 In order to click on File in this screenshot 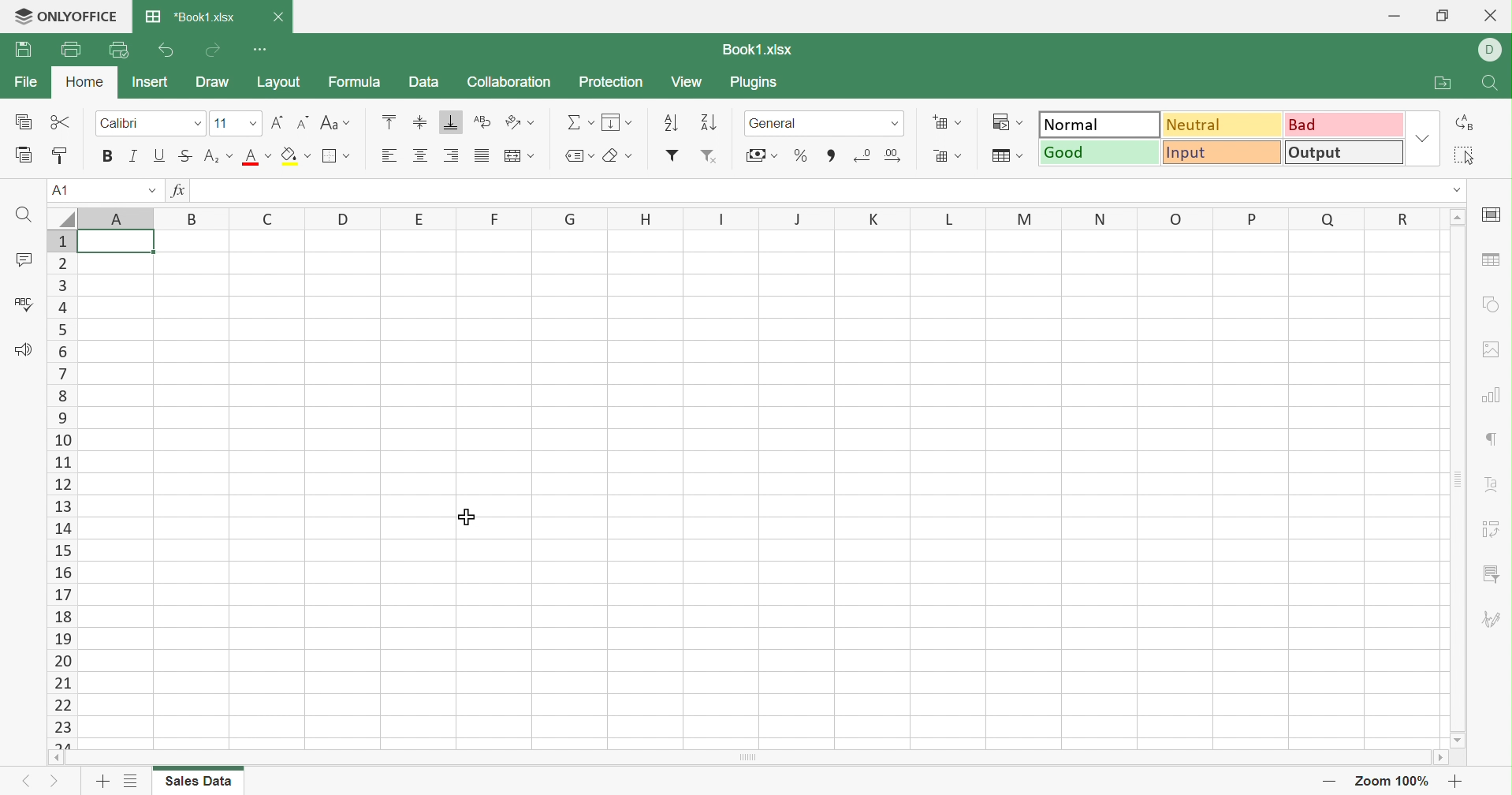, I will do `click(28, 80)`.